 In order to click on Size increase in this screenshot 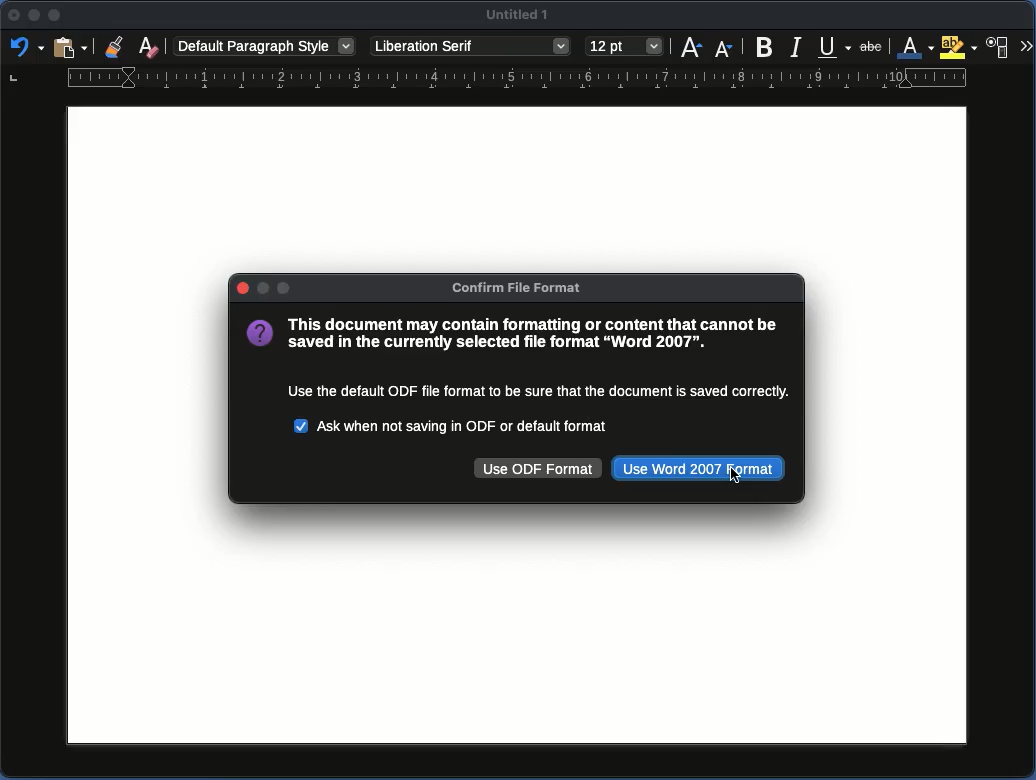, I will do `click(693, 47)`.